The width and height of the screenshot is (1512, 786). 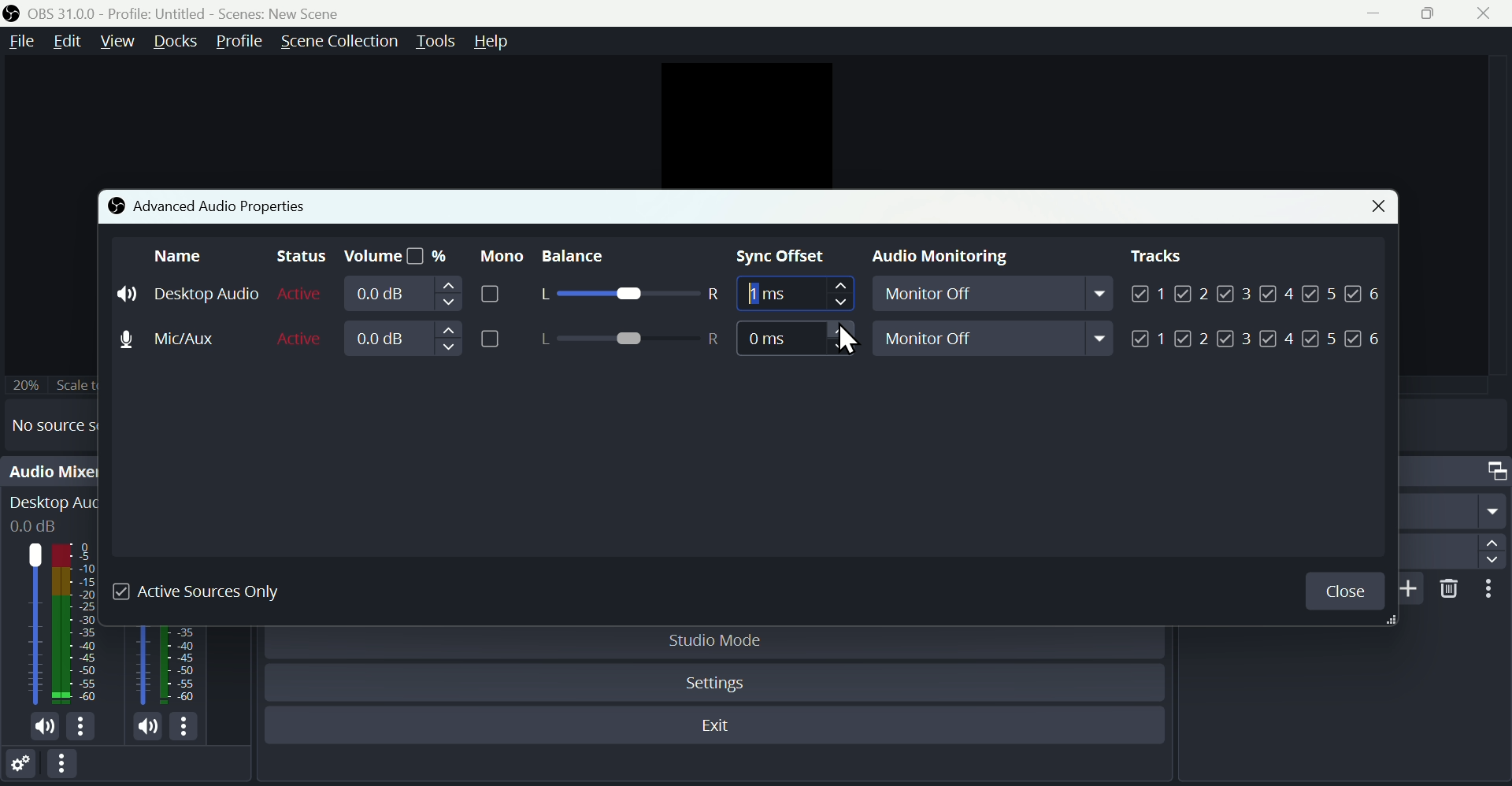 What do you see at coordinates (12, 13) in the screenshot?
I see `OBS Studio Desktop icon` at bounding box center [12, 13].